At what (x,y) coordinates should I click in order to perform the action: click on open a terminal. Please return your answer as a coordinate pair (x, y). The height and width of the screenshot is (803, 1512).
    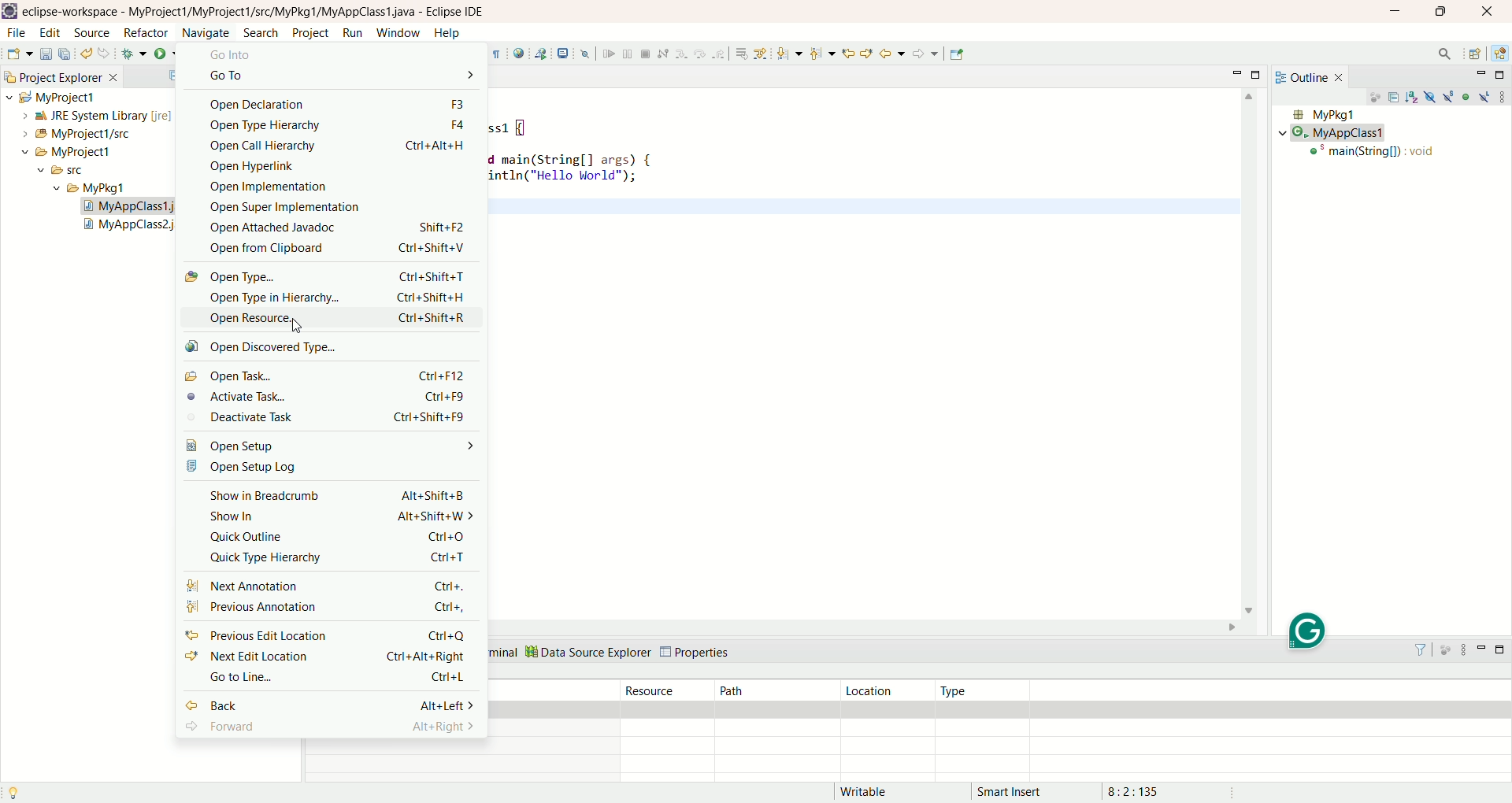
    Looking at the image, I should click on (563, 54).